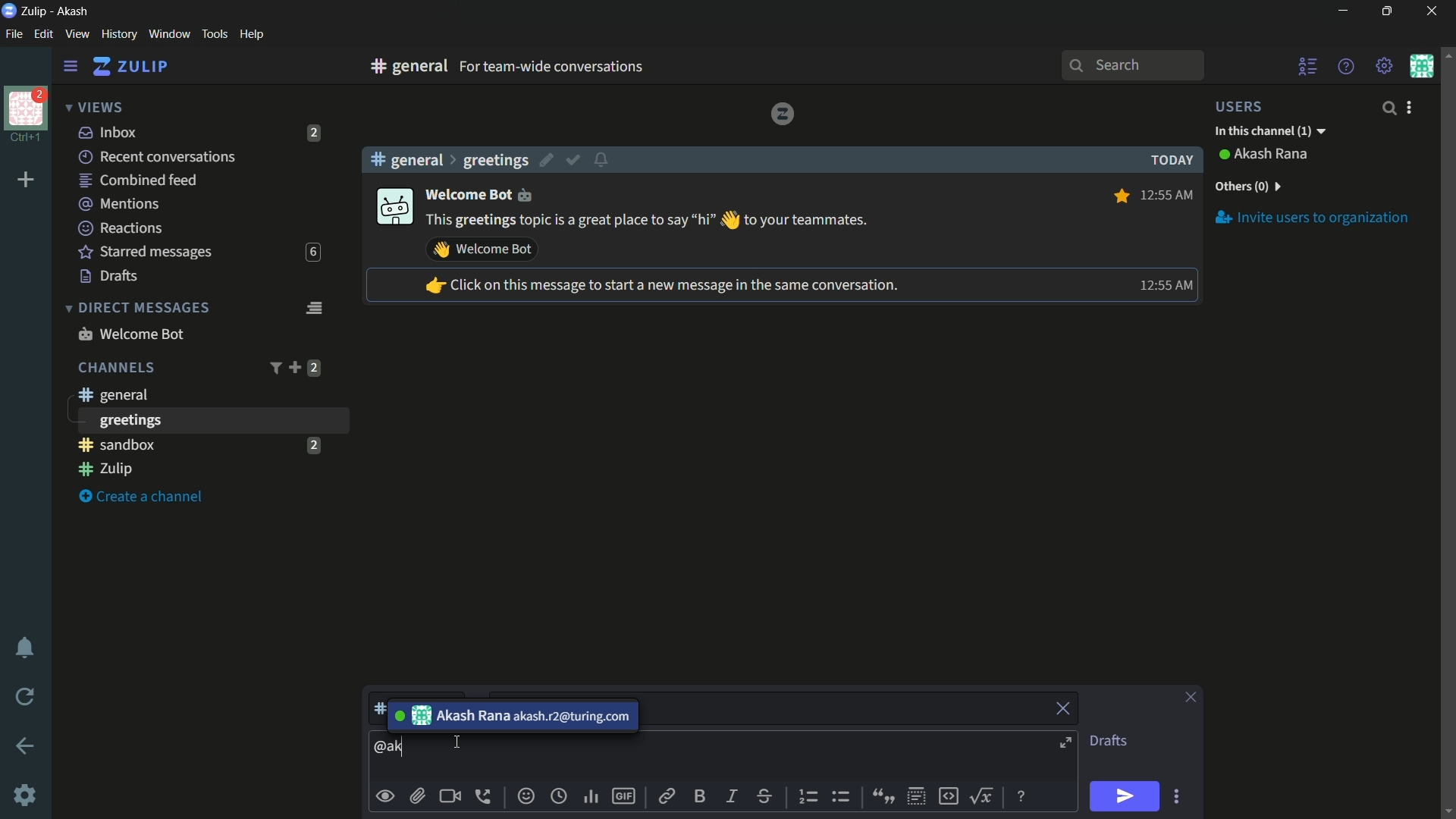 This screenshot has width=1456, height=819. I want to click on Zulip logo, so click(782, 113).